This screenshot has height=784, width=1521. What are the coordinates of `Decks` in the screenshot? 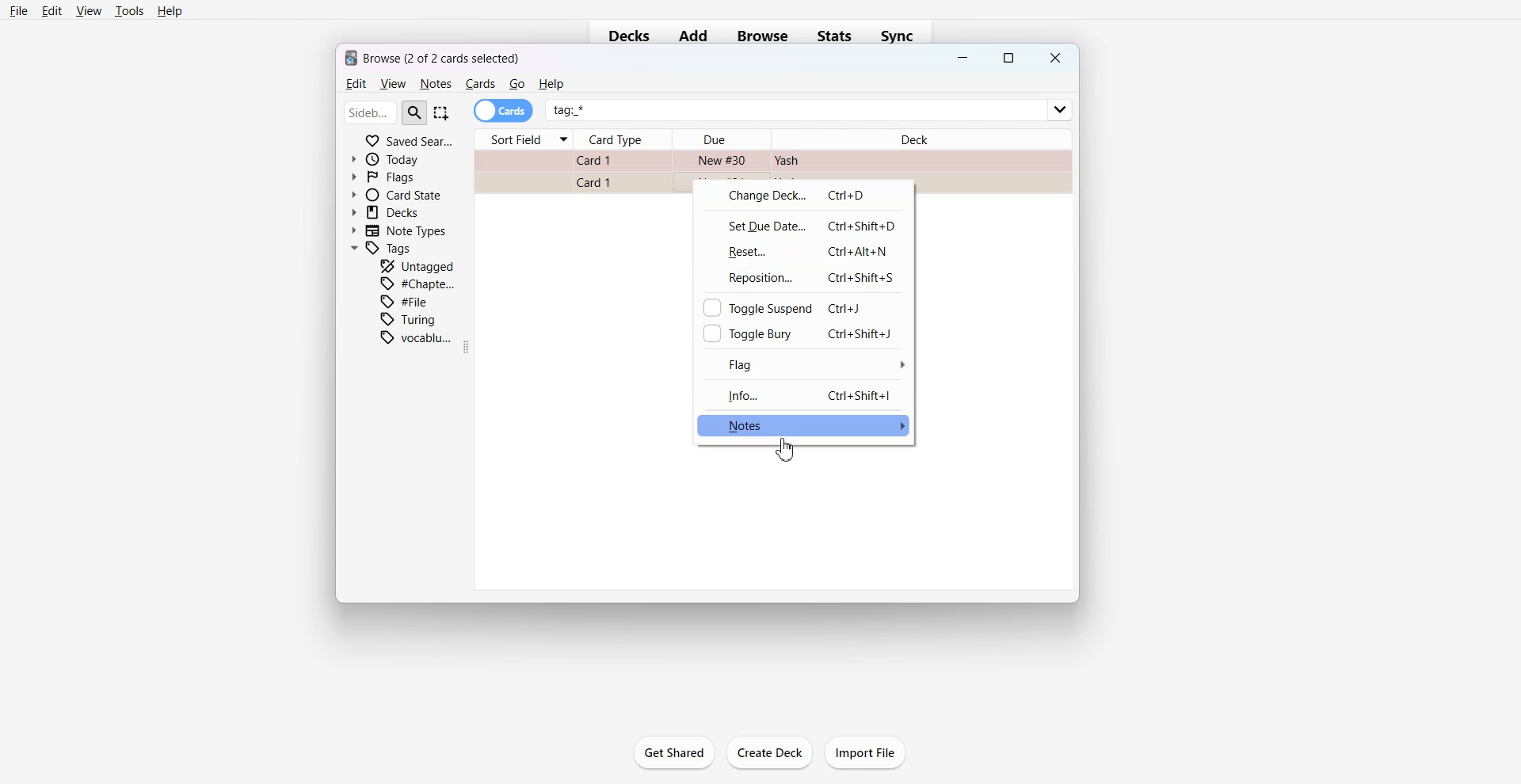 It's located at (624, 37).